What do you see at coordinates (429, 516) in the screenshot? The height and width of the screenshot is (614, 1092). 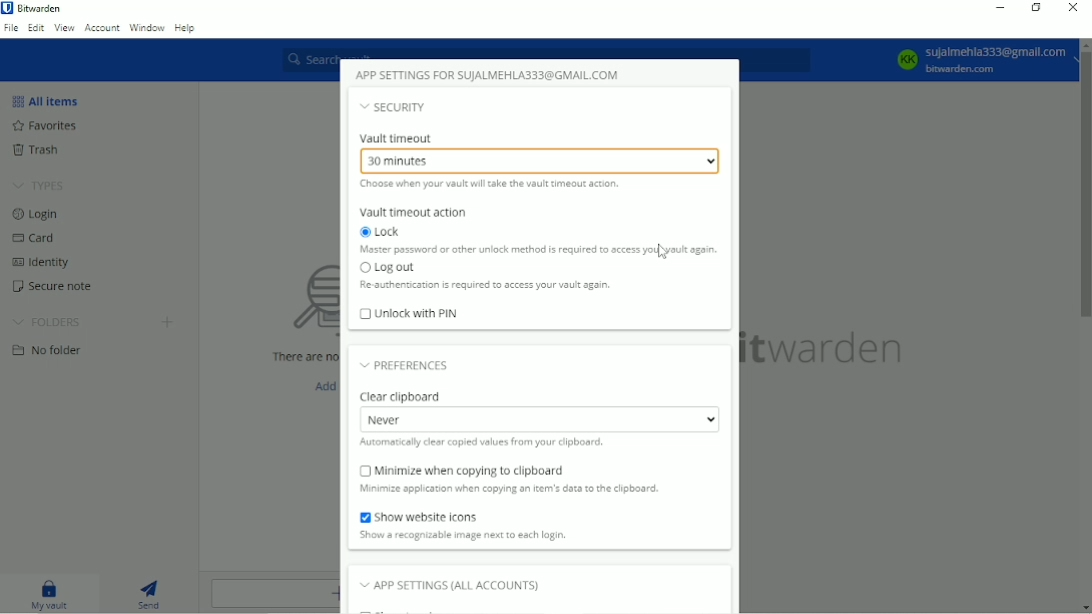 I see `Show website icons` at bounding box center [429, 516].